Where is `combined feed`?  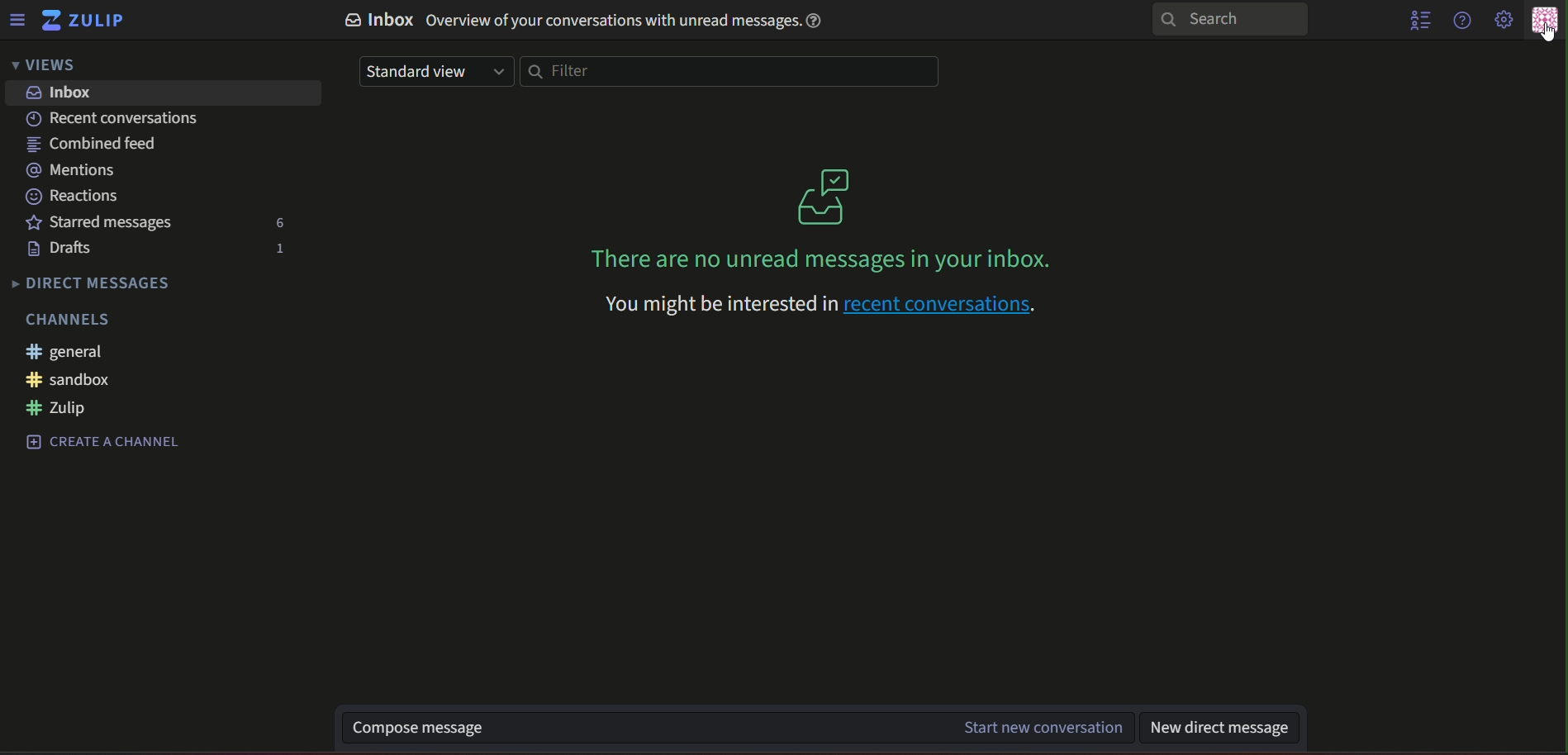 combined feed is located at coordinates (93, 143).